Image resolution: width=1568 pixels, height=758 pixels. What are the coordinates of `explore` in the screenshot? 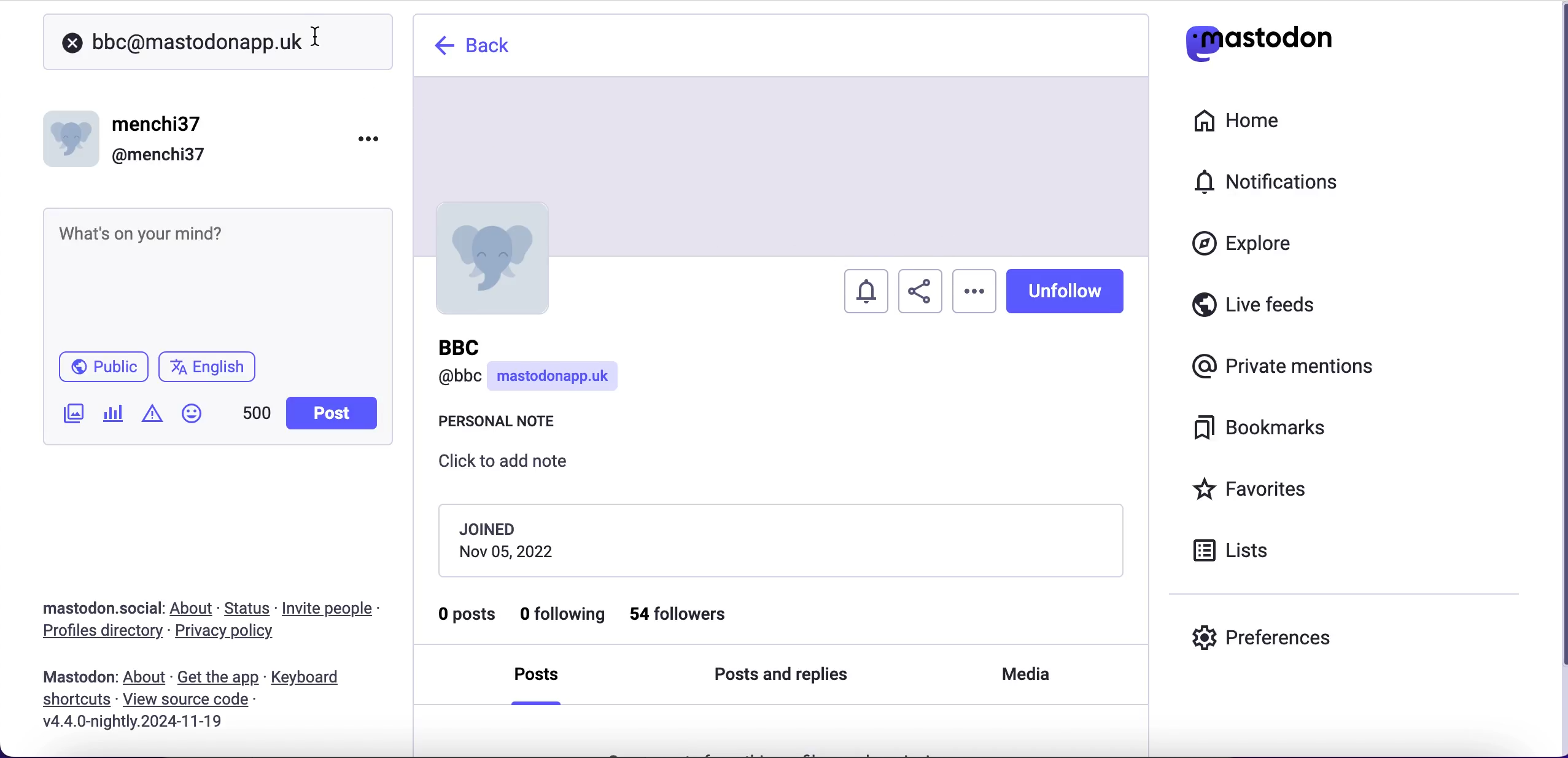 It's located at (1254, 244).